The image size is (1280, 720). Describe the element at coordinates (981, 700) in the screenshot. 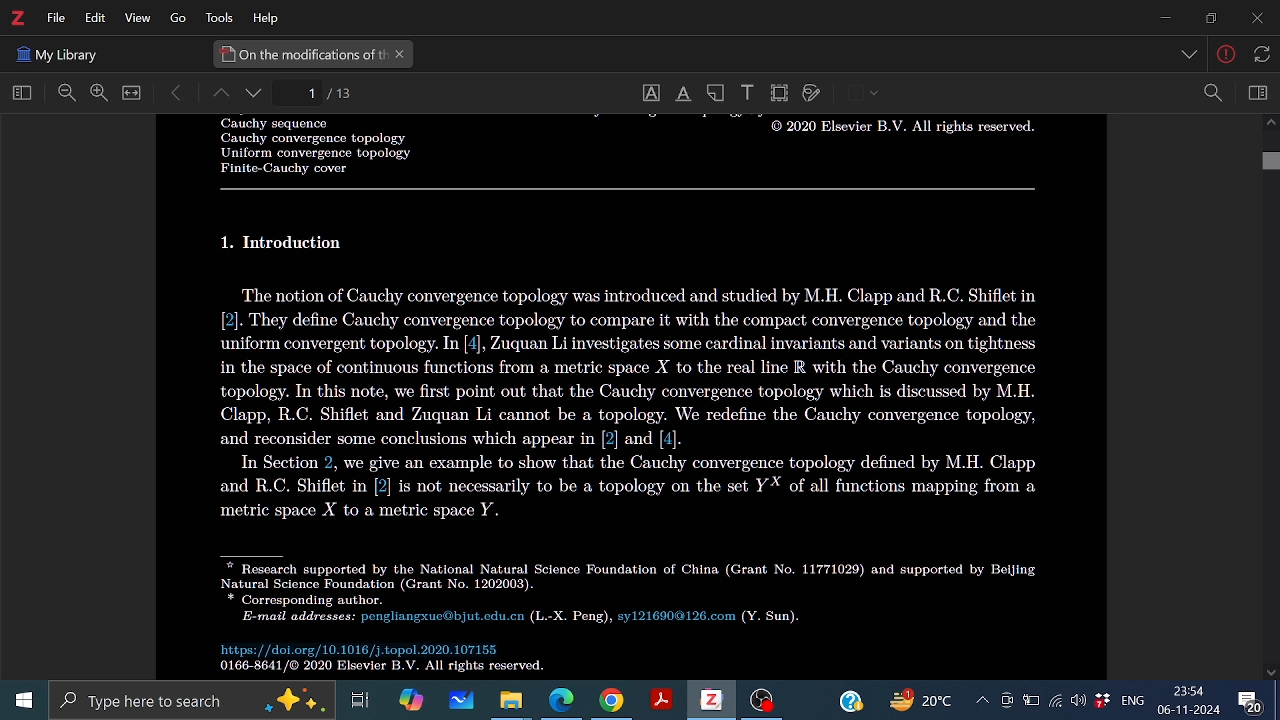

I see `Show hidden icons` at that location.